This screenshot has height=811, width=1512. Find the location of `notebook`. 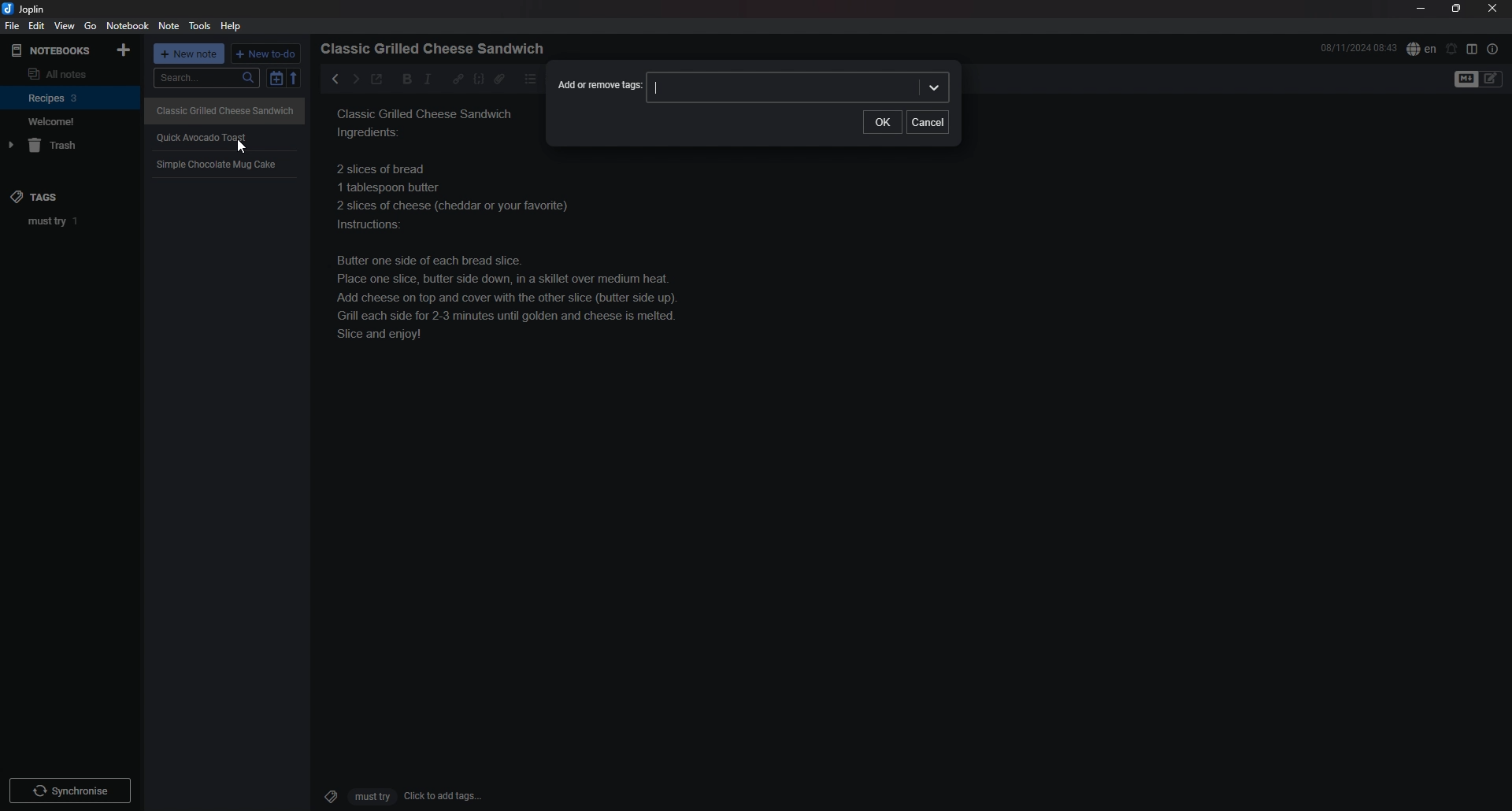

notebook is located at coordinates (69, 121).